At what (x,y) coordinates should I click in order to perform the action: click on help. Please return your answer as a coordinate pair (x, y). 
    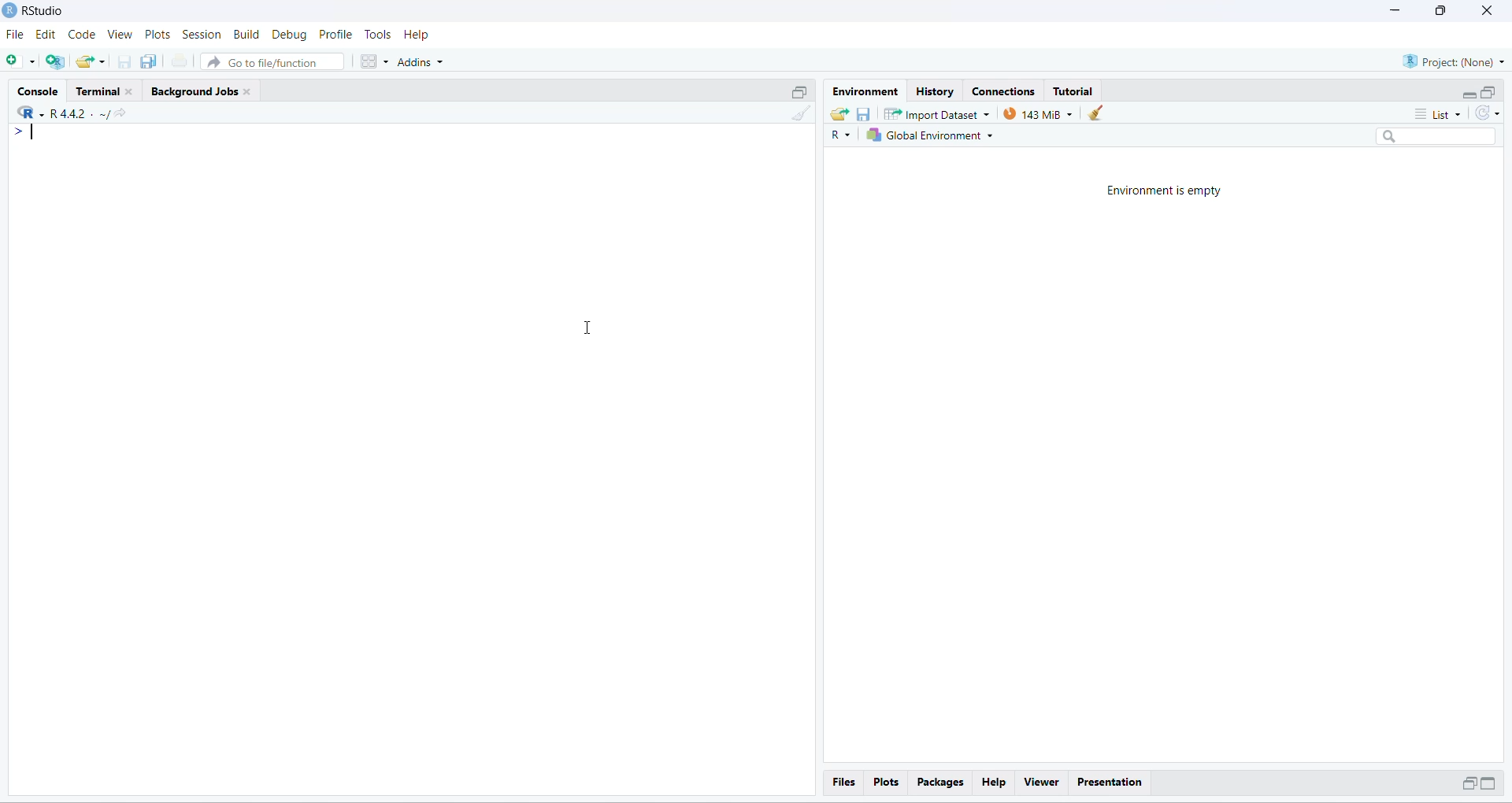
    Looking at the image, I should click on (416, 35).